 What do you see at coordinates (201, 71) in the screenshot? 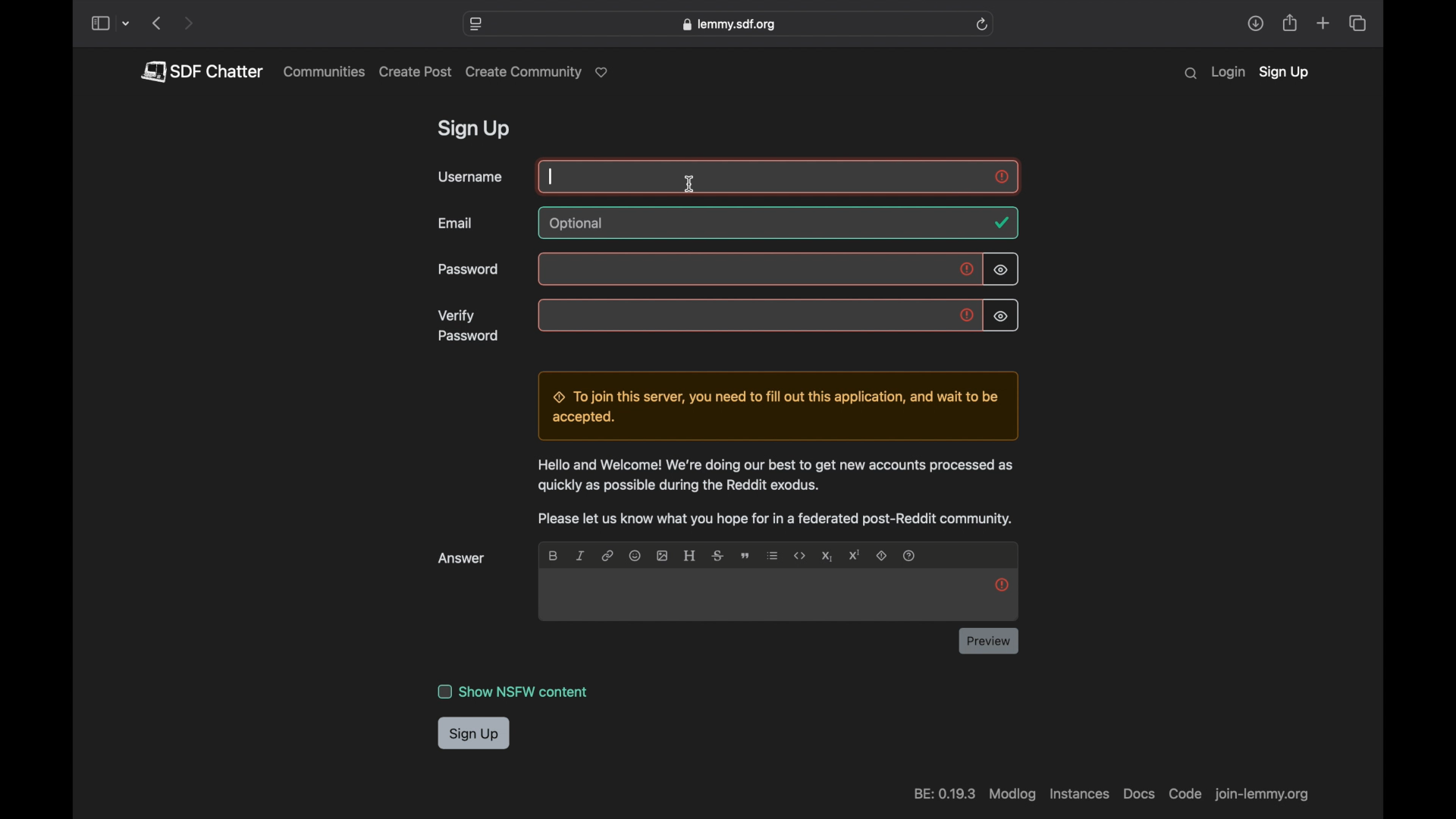
I see `pdf chatter` at bounding box center [201, 71].